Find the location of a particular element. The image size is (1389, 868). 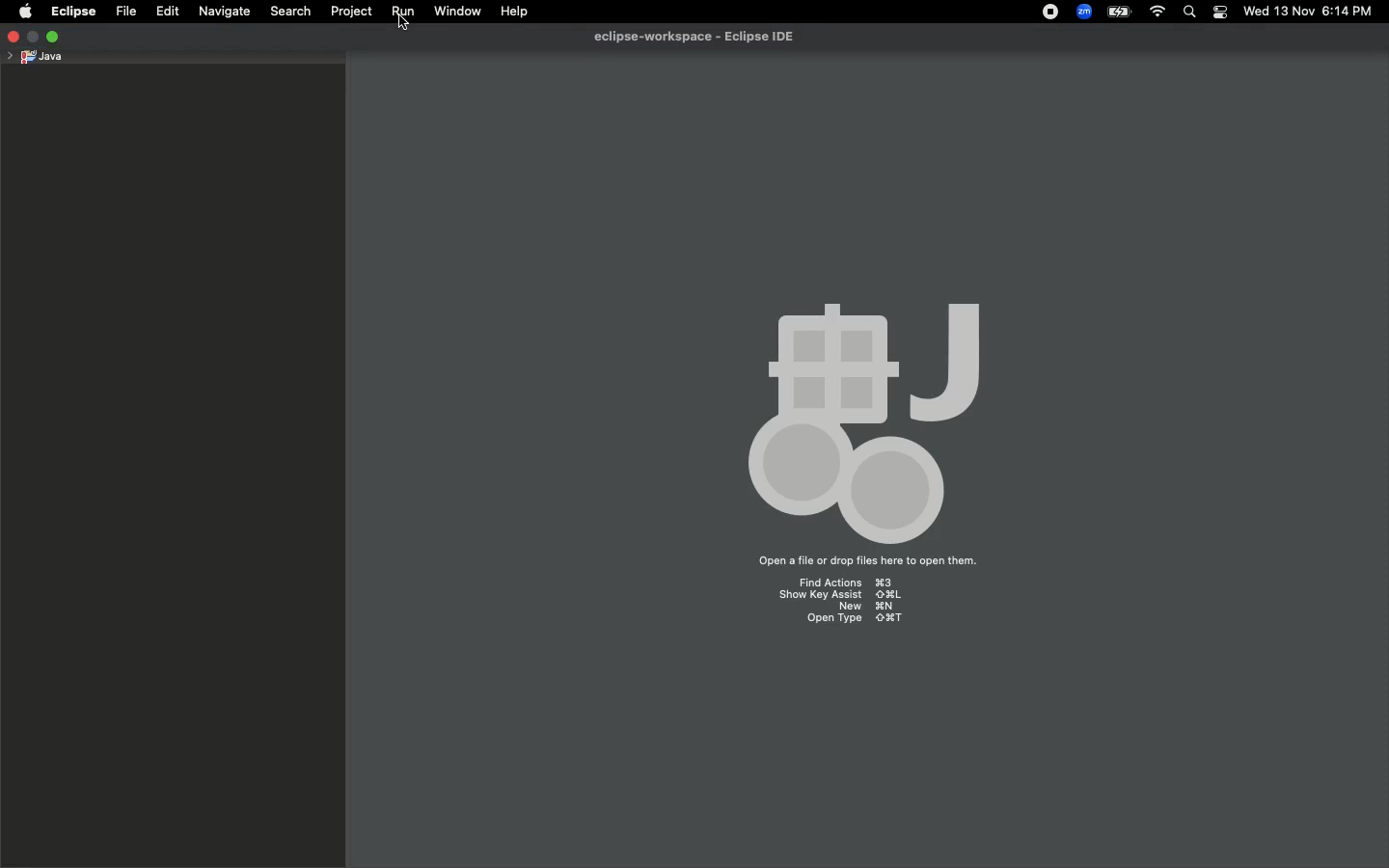

show key assist ⇧⌘L is located at coordinates (840, 595).